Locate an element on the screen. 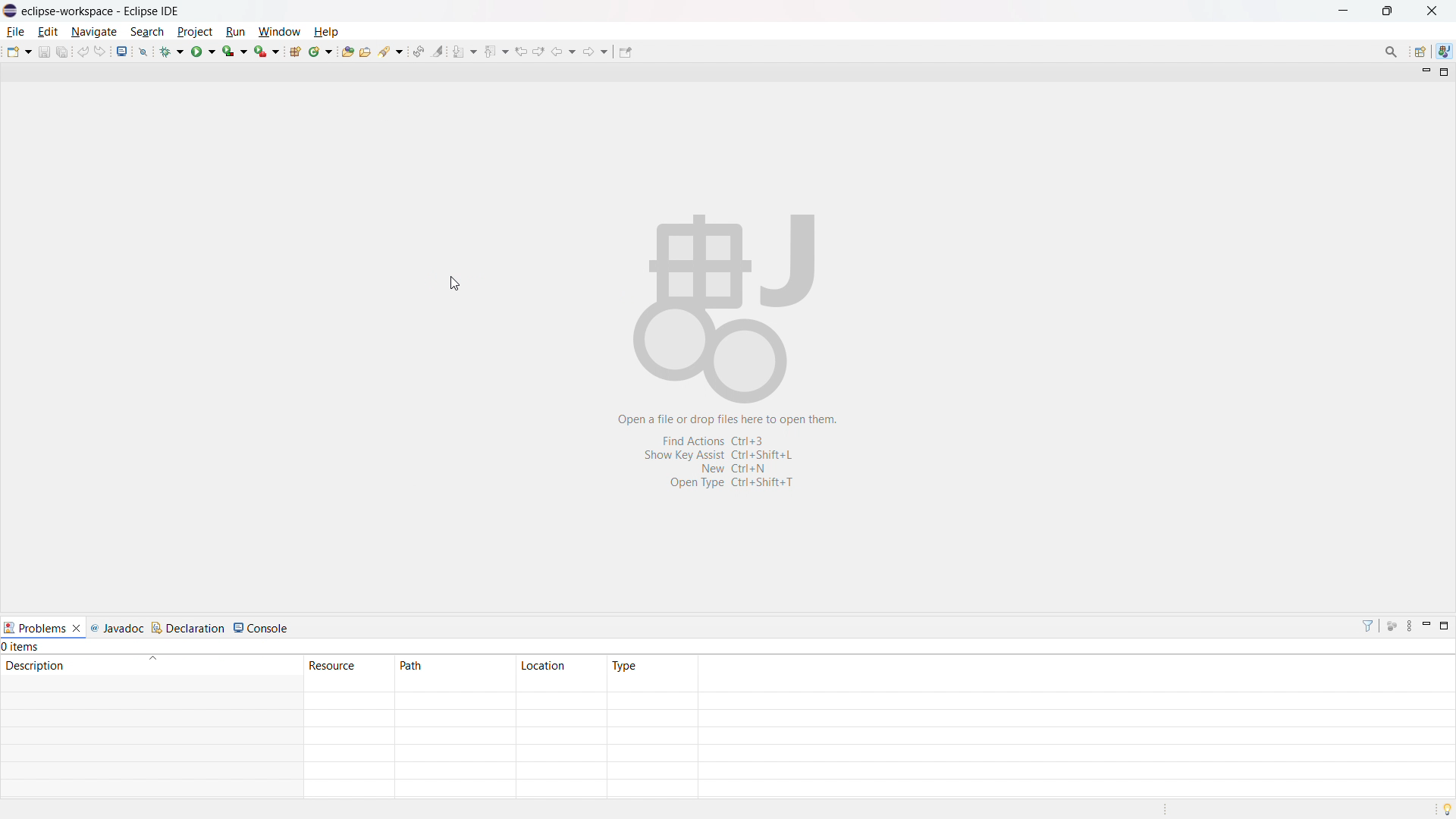  minimize is located at coordinates (1424, 71).